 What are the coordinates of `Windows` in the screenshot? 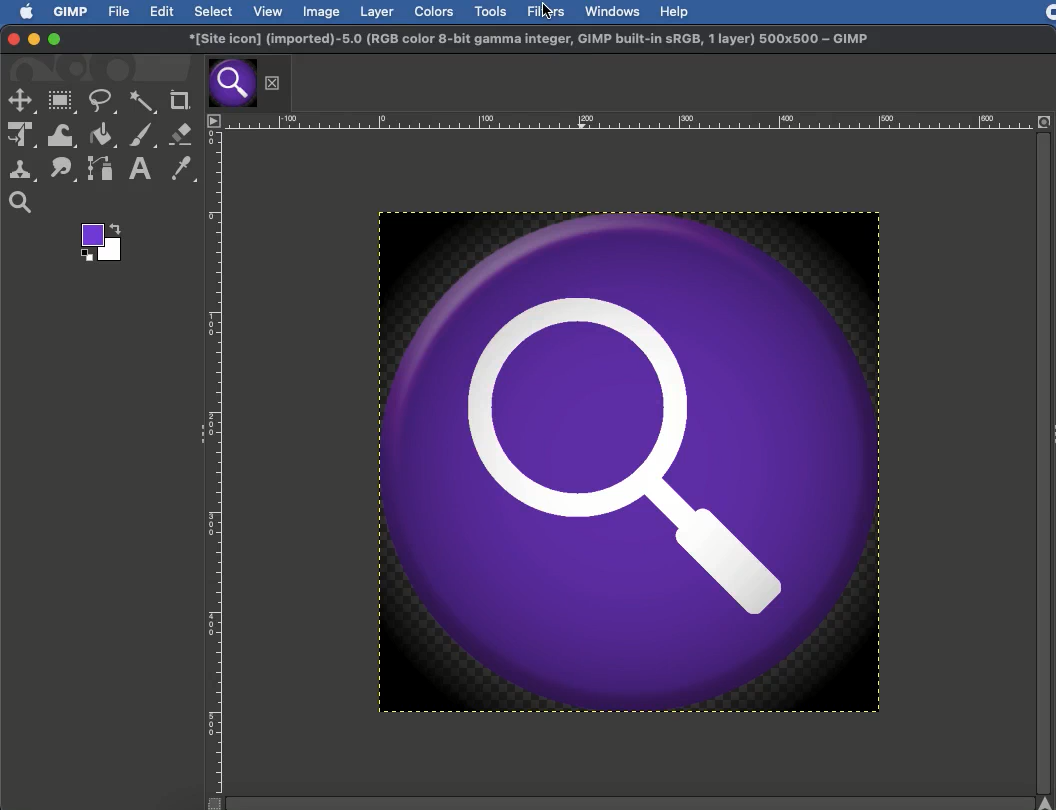 It's located at (612, 10).